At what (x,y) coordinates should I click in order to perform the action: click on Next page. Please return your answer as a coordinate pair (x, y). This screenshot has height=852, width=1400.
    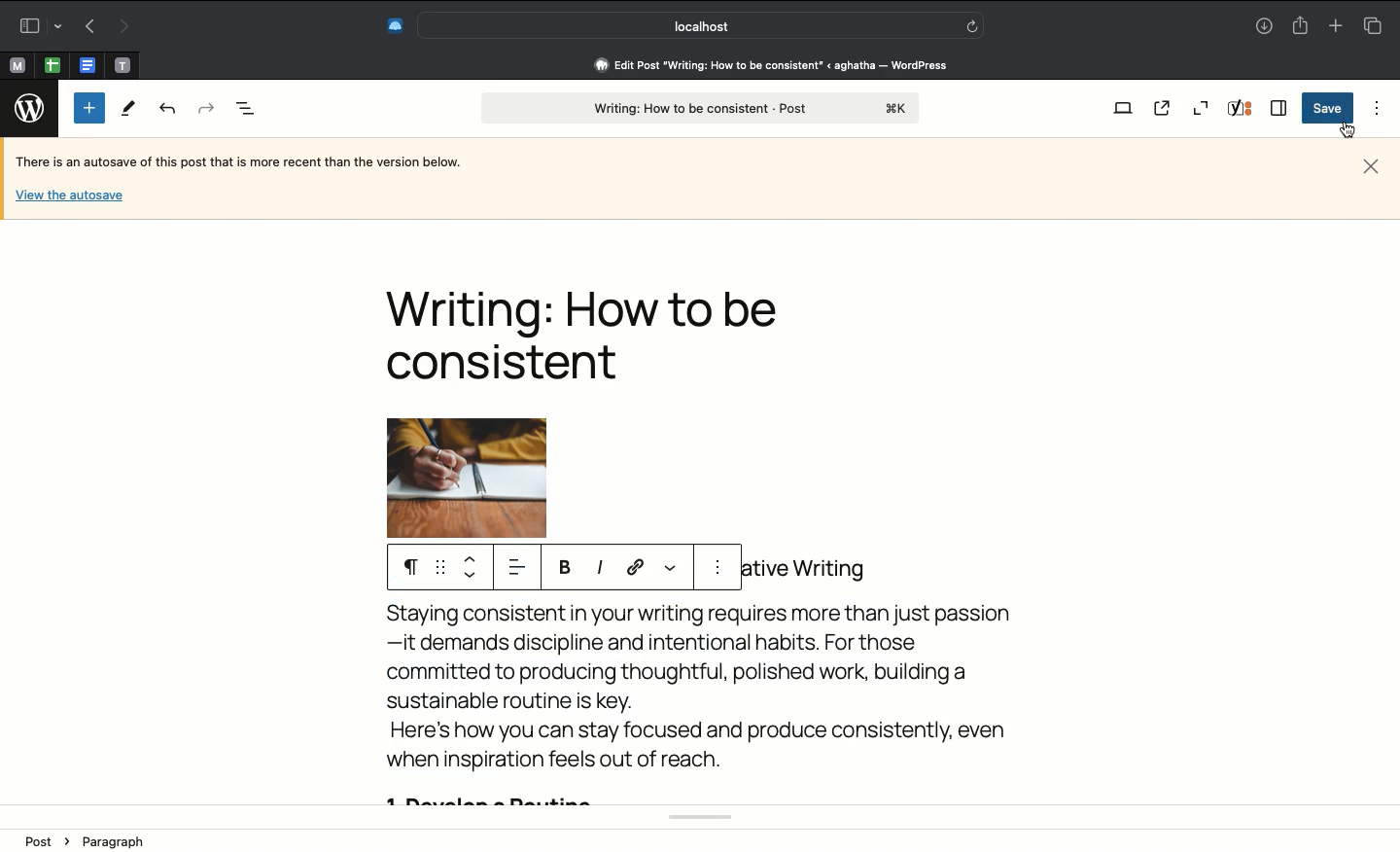
    Looking at the image, I should click on (126, 25).